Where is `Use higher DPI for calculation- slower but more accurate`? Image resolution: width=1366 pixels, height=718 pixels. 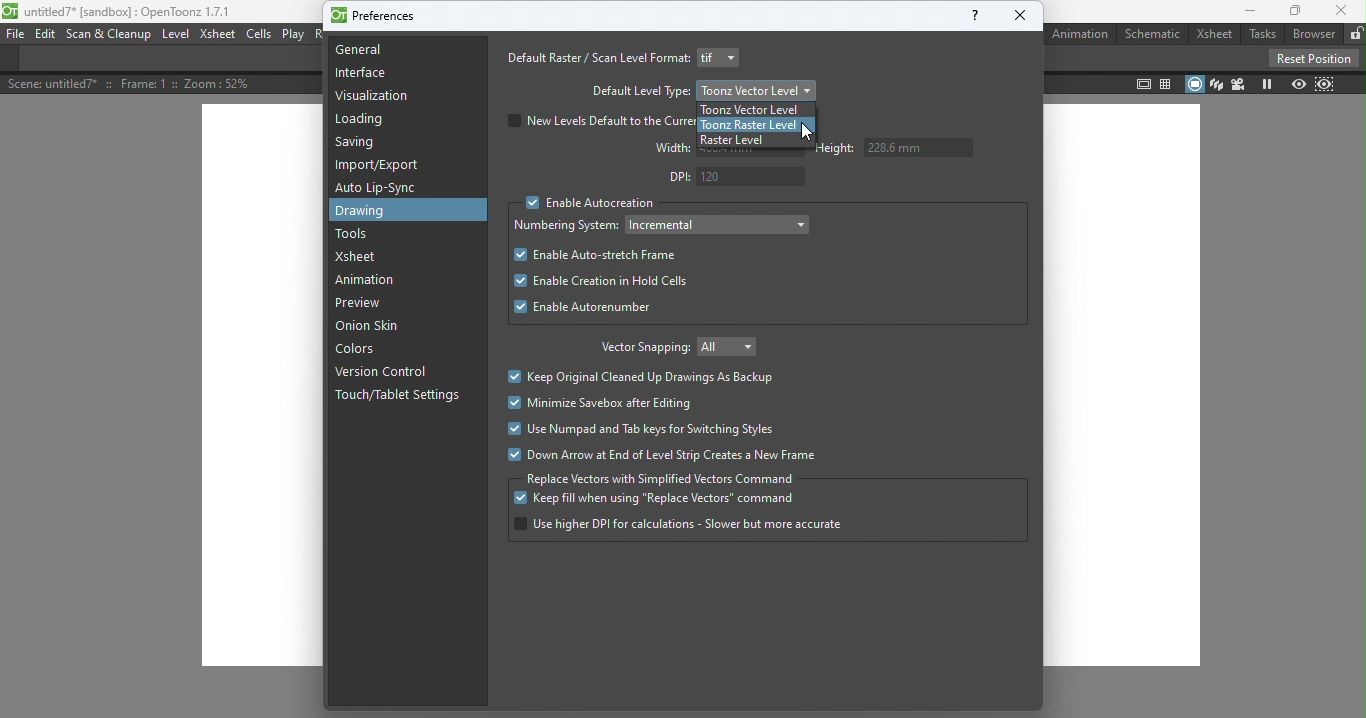
Use higher DPI for calculation- slower but more accurate is located at coordinates (677, 525).